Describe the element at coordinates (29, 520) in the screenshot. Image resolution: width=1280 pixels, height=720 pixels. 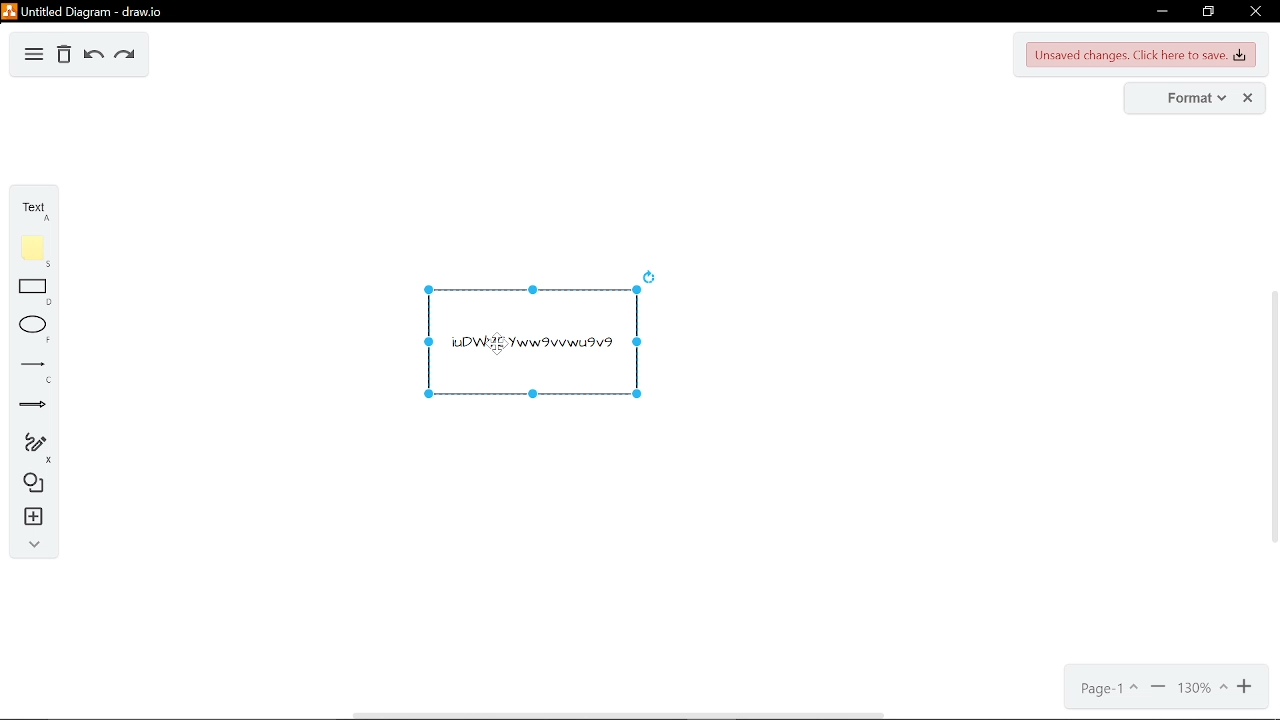
I see `insert` at that location.